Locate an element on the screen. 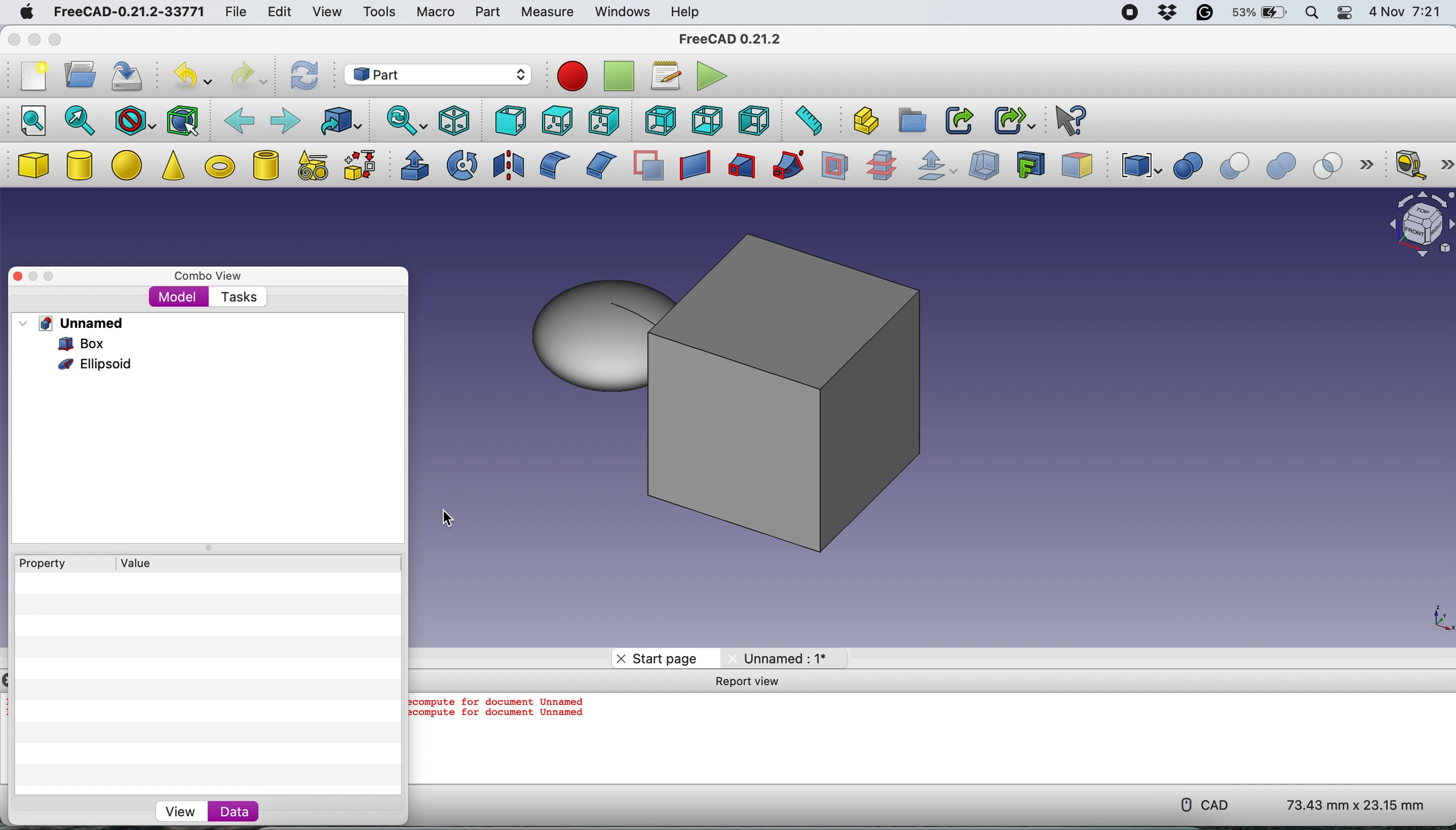  FreeCAD-0.21.2-33771 is located at coordinates (127, 13).